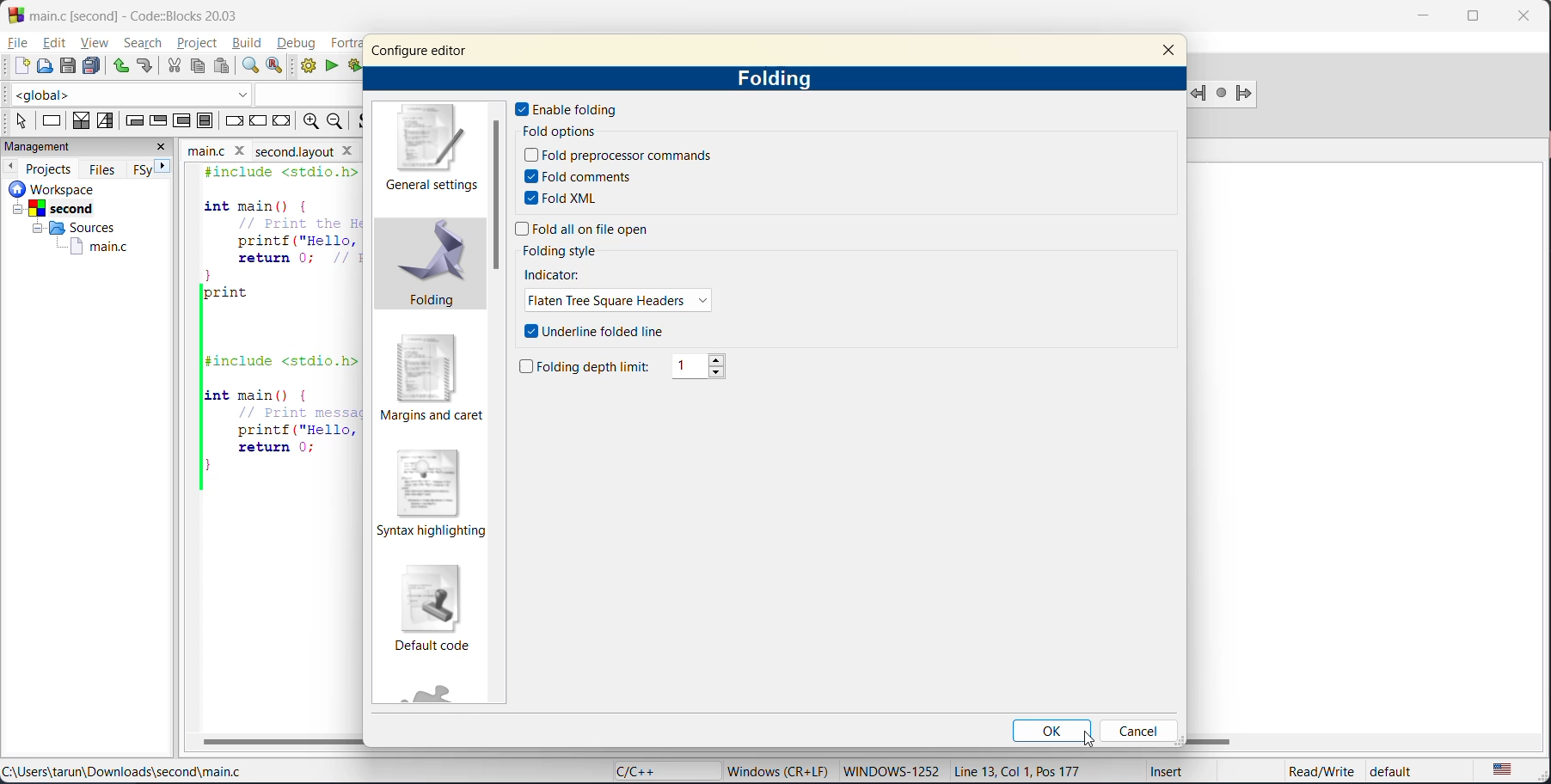 The image size is (1551, 784). What do you see at coordinates (435, 493) in the screenshot?
I see `syntax highlighting` at bounding box center [435, 493].